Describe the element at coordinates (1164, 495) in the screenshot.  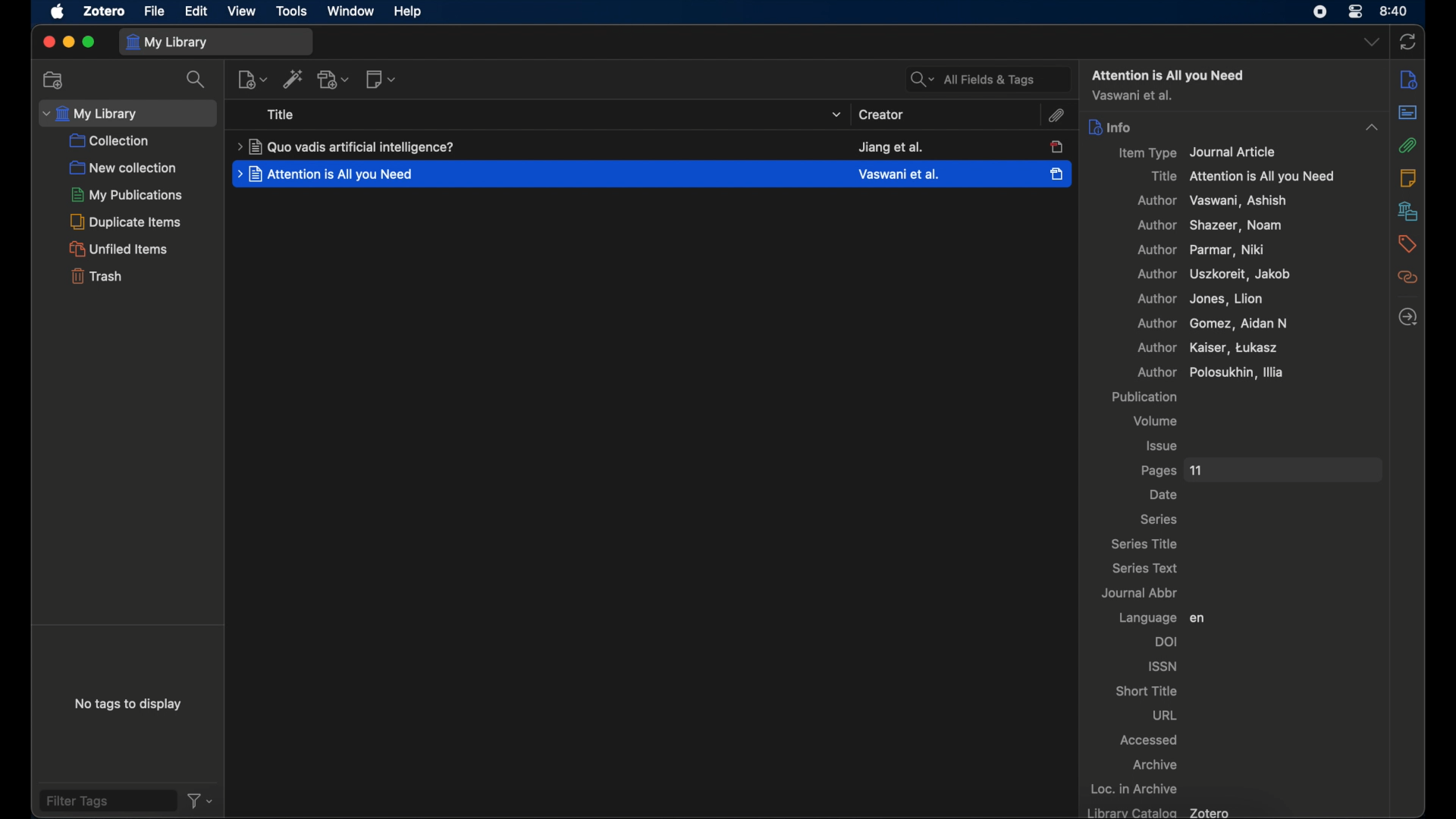
I see `date` at that location.